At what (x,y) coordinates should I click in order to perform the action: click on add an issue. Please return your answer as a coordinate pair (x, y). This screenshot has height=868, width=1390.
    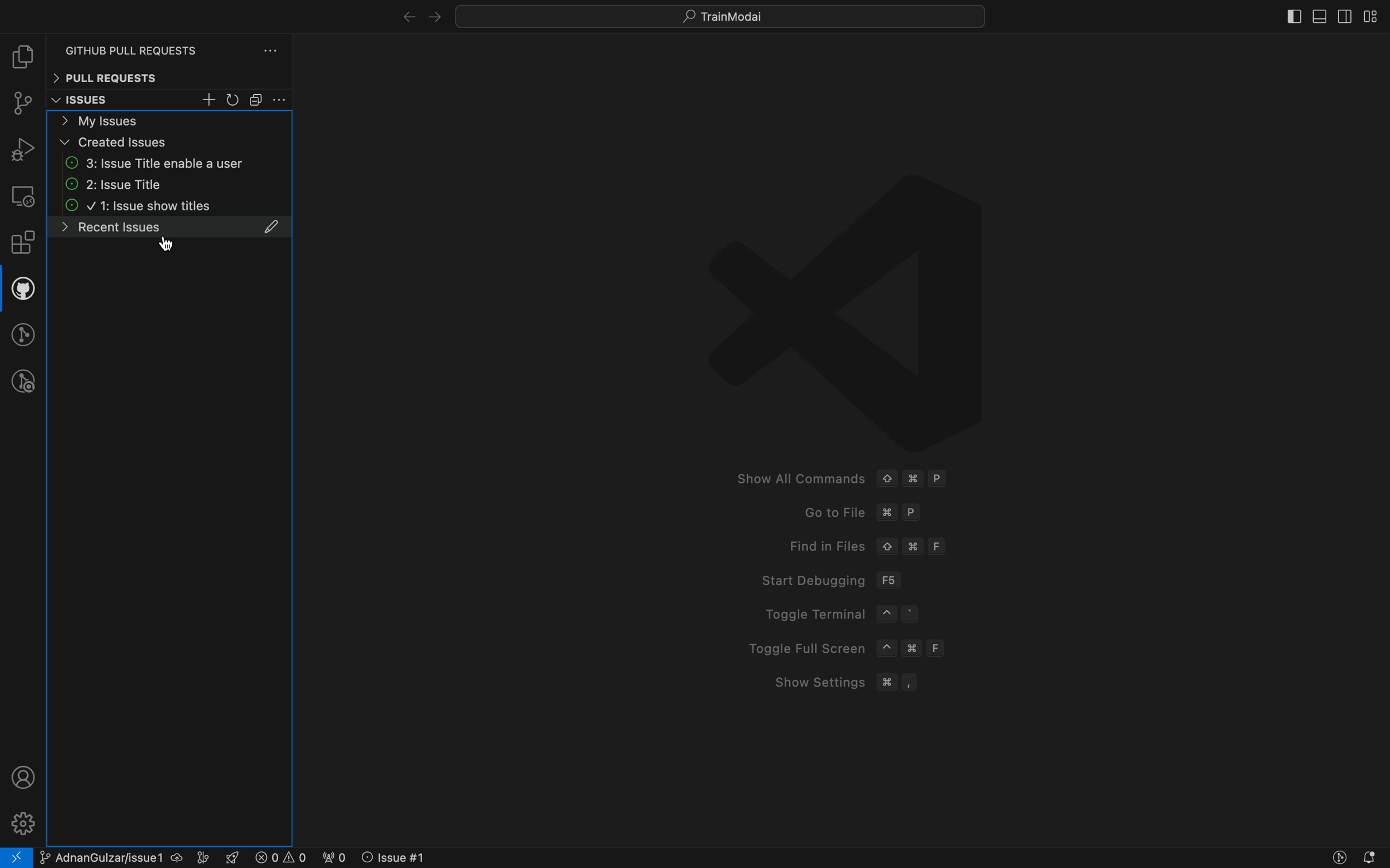
    Looking at the image, I should click on (210, 100).